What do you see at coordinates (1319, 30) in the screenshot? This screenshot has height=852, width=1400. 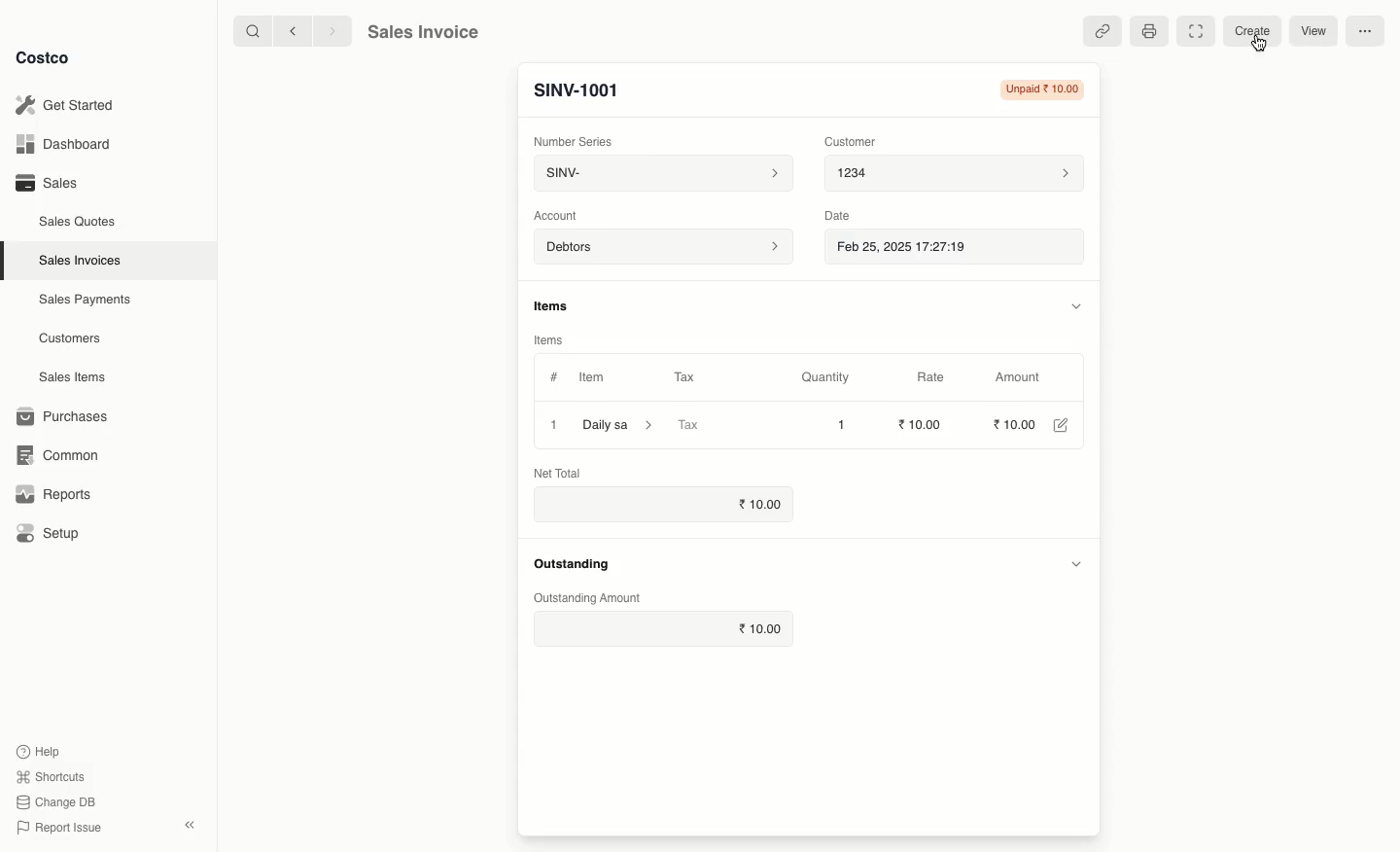 I see `View` at bounding box center [1319, 30].